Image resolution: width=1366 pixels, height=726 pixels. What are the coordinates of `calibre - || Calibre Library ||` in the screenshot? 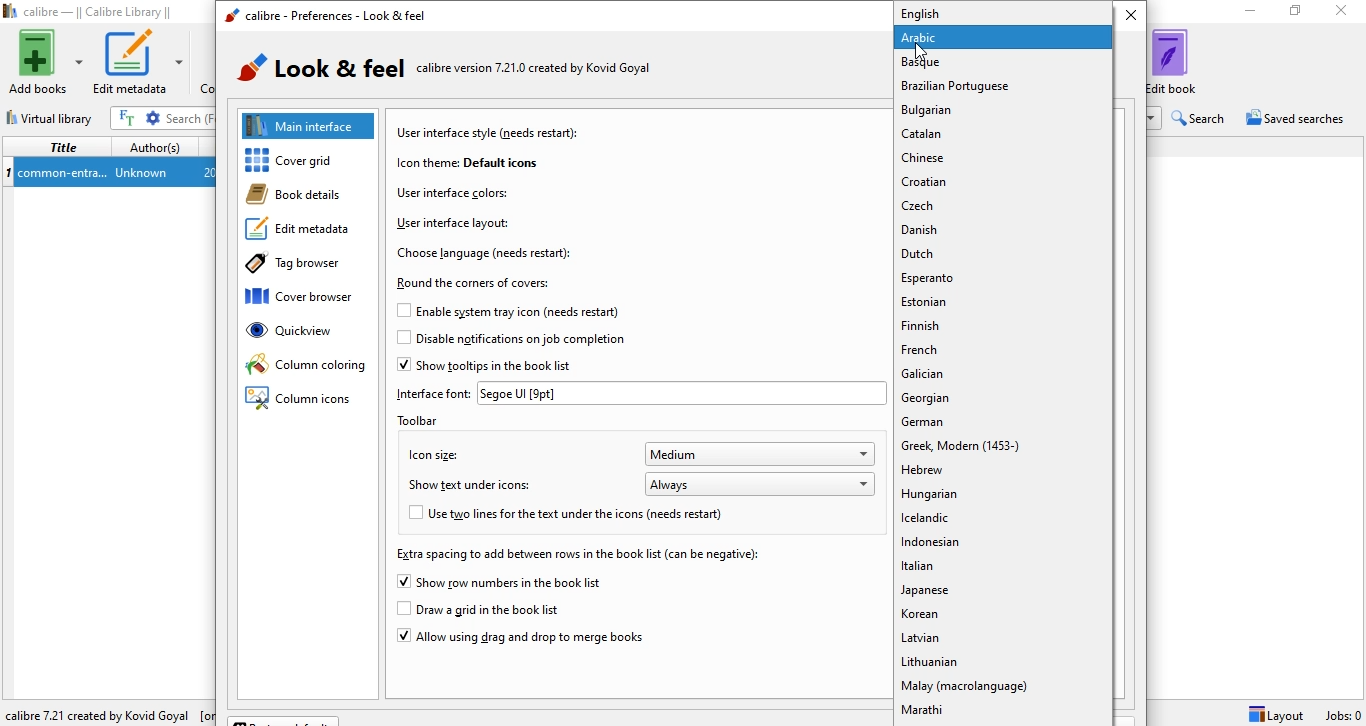 It's located at (92, 12).